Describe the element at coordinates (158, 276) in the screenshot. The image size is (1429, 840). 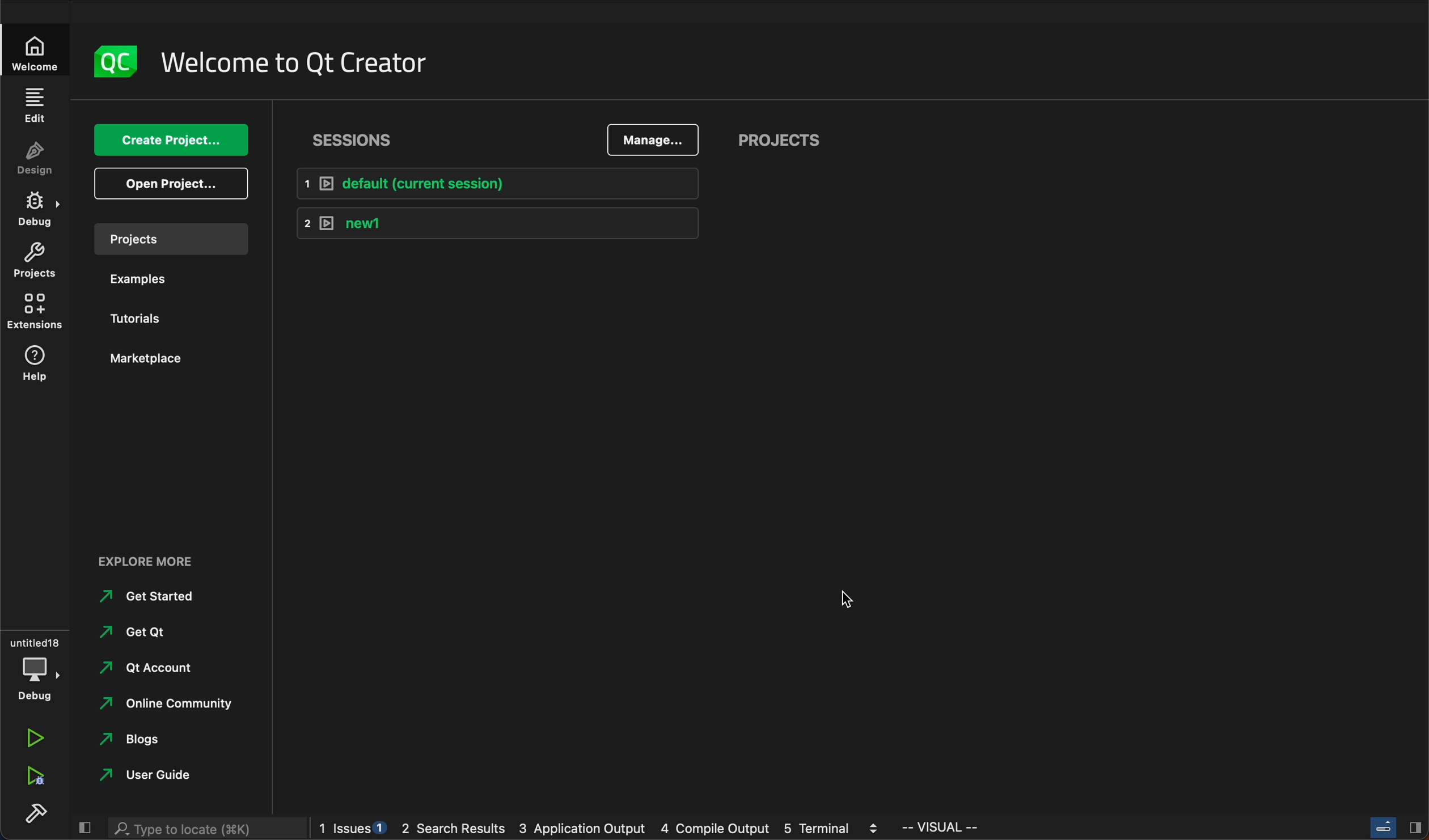
I see `examples` at that location.